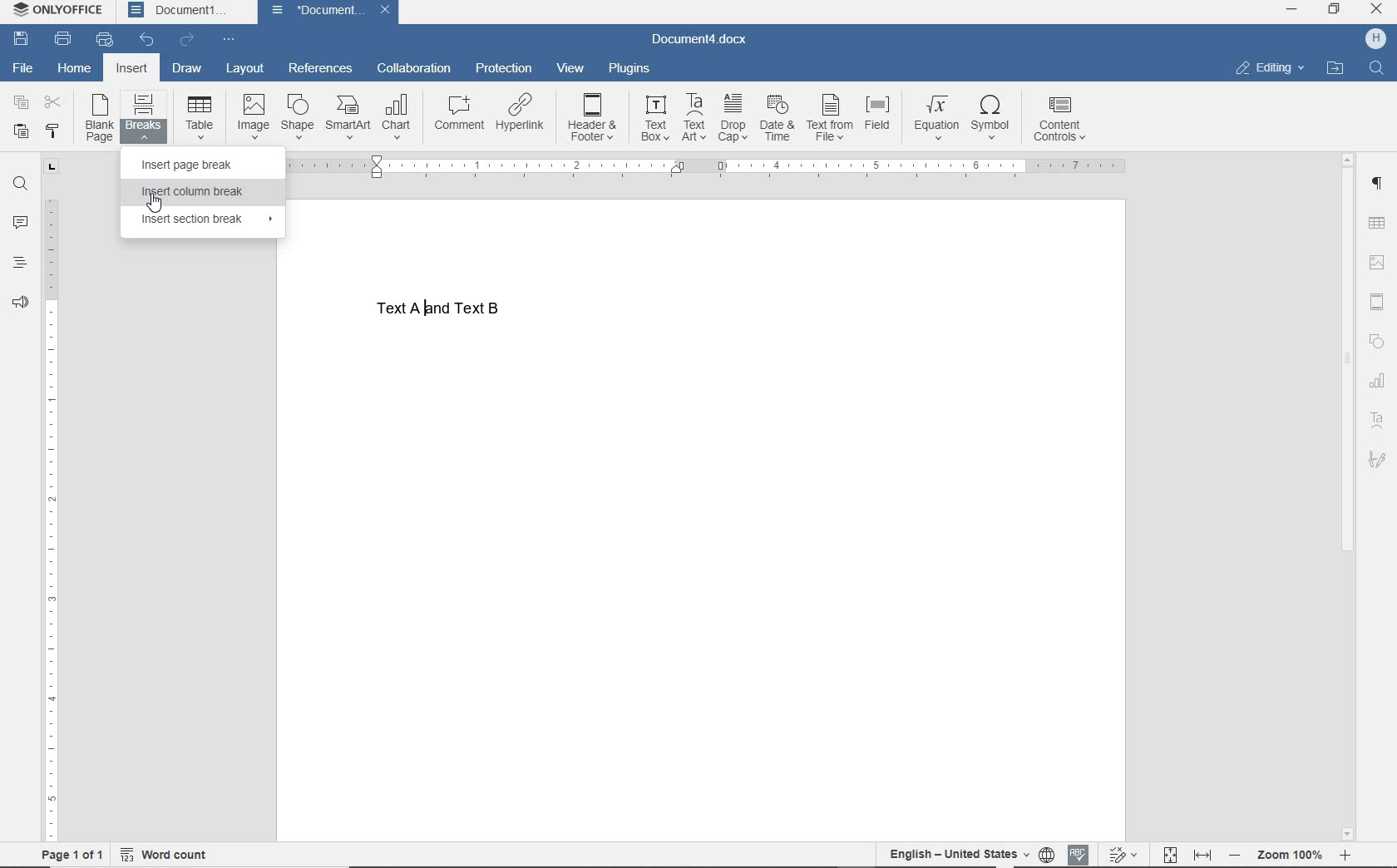 The width and height of the screenshot is (1397, 868). What do you see at coordinates (1062, 117) in the screenshot?
I see `CONTENT CONTROLS` at bounding box center [1062, 117].